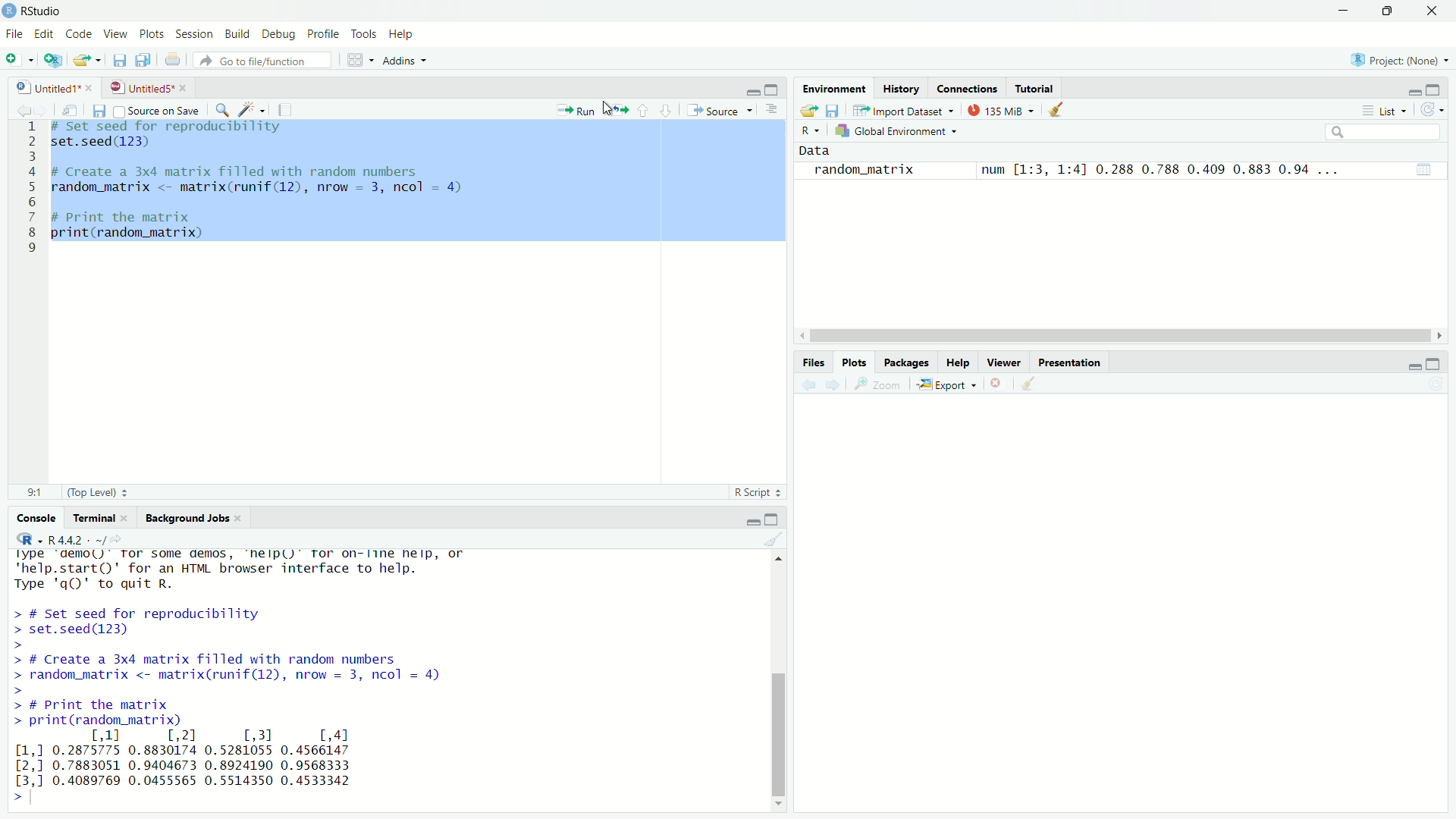 Image resolution: width=1456 pixels, height=819 pixels. What do you see at coordinates (1035, 87) in the screenshot?
I see `Tutorial` at bounding box center [1035, 87].